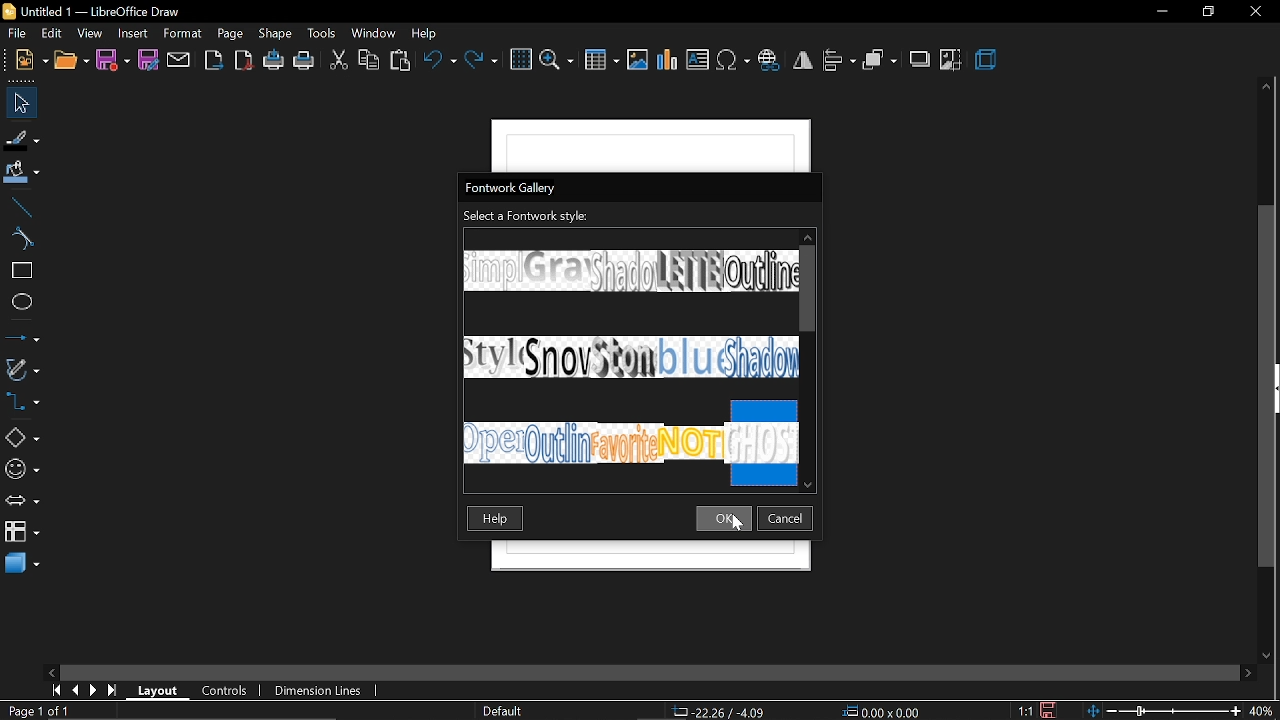 The height and width of the screenshot is (720, 1280). What do you see at coordinates (113, 62) in the screenshot?
I see `save` at bounding box center [113, 62].